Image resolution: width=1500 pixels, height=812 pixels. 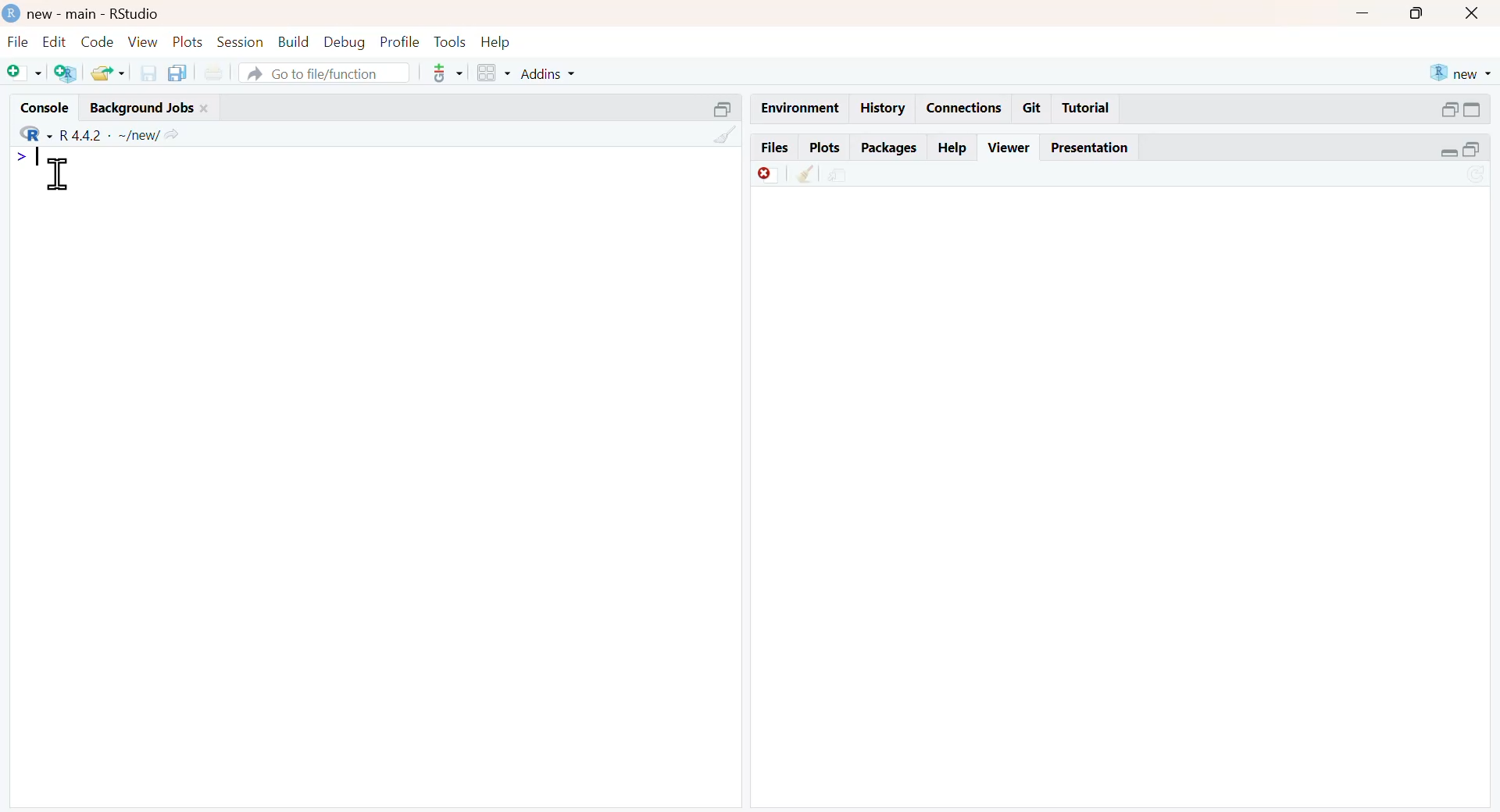 What do you see at coordinates (1364, 12) in the screenshot?
I see `minimize` at bounding box center [1364, 12].